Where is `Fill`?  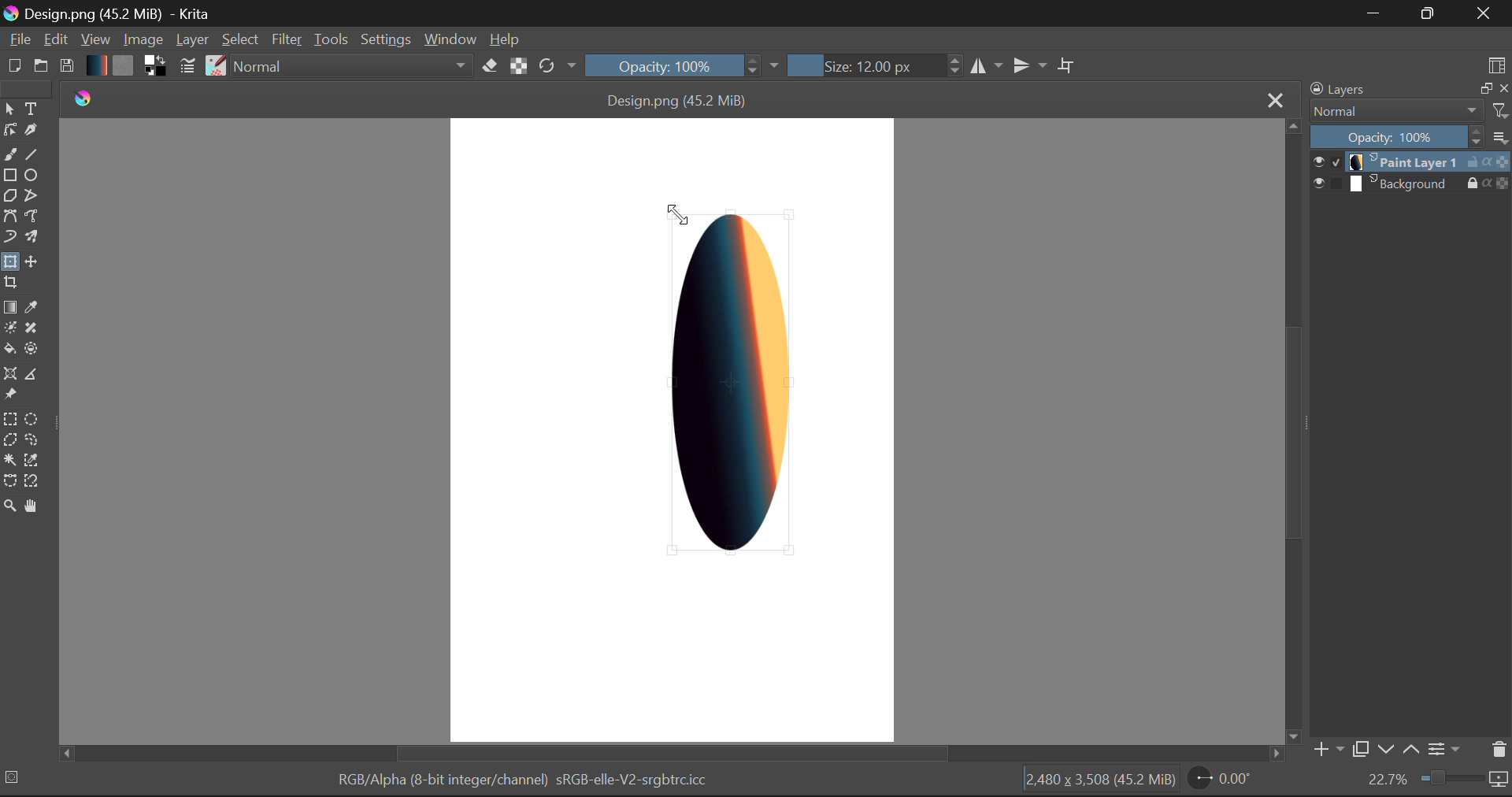 Fill is located at coordinates (10, 348).